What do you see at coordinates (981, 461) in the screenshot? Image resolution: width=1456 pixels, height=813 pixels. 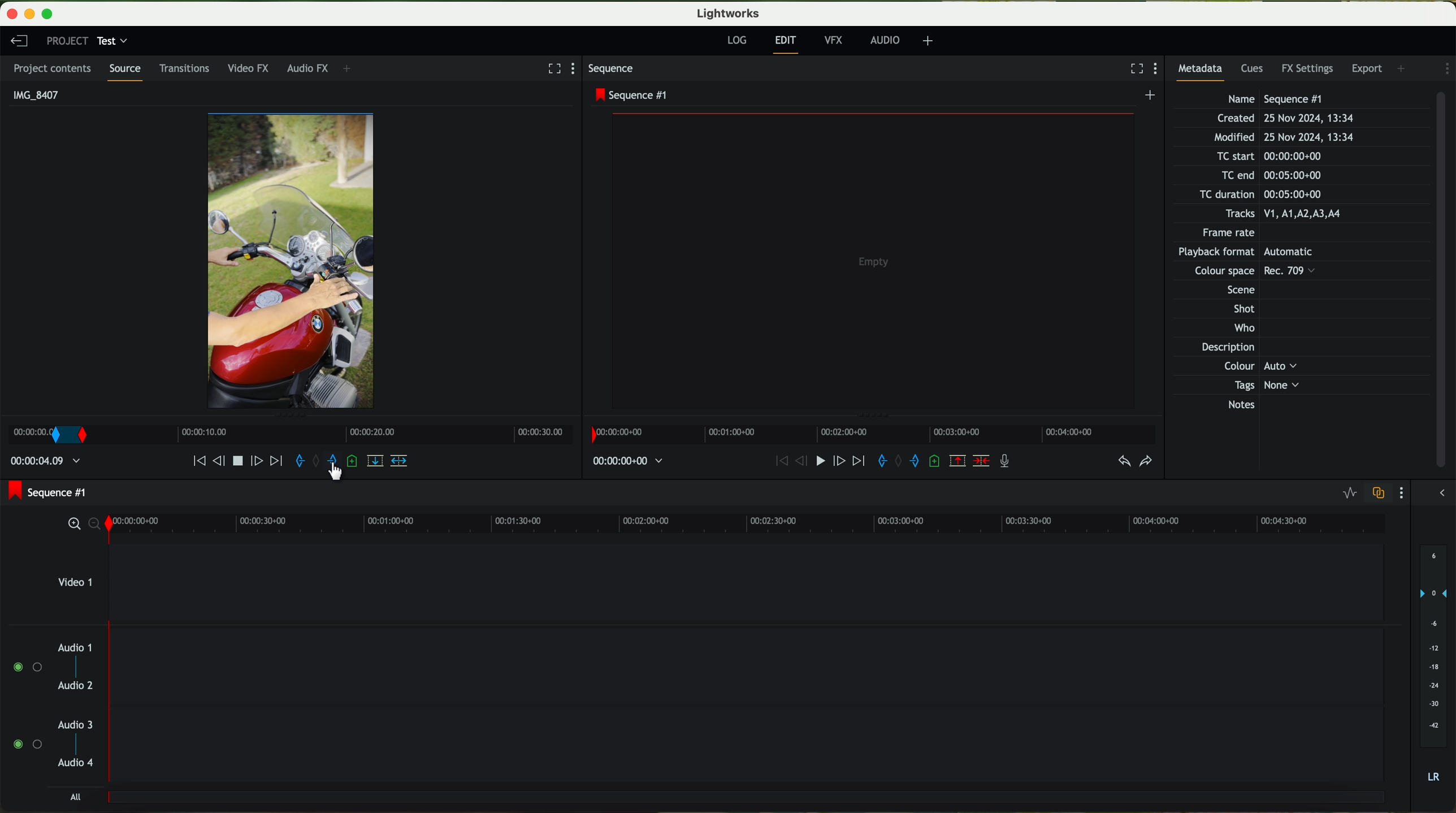 I see `delete/cut` at bounding box center [981, 461].